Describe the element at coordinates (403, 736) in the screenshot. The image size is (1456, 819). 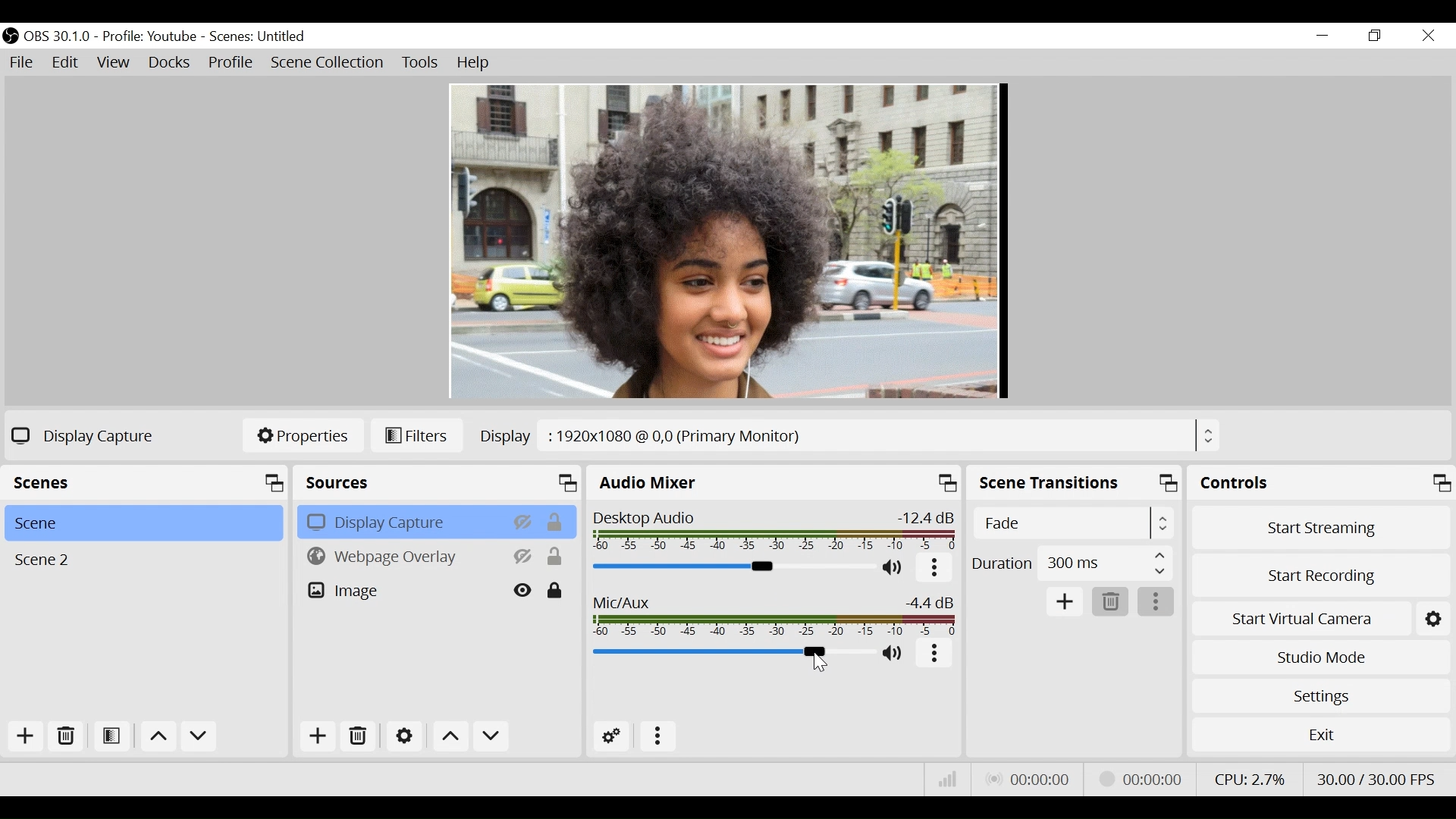
I see `Settings` at that location.